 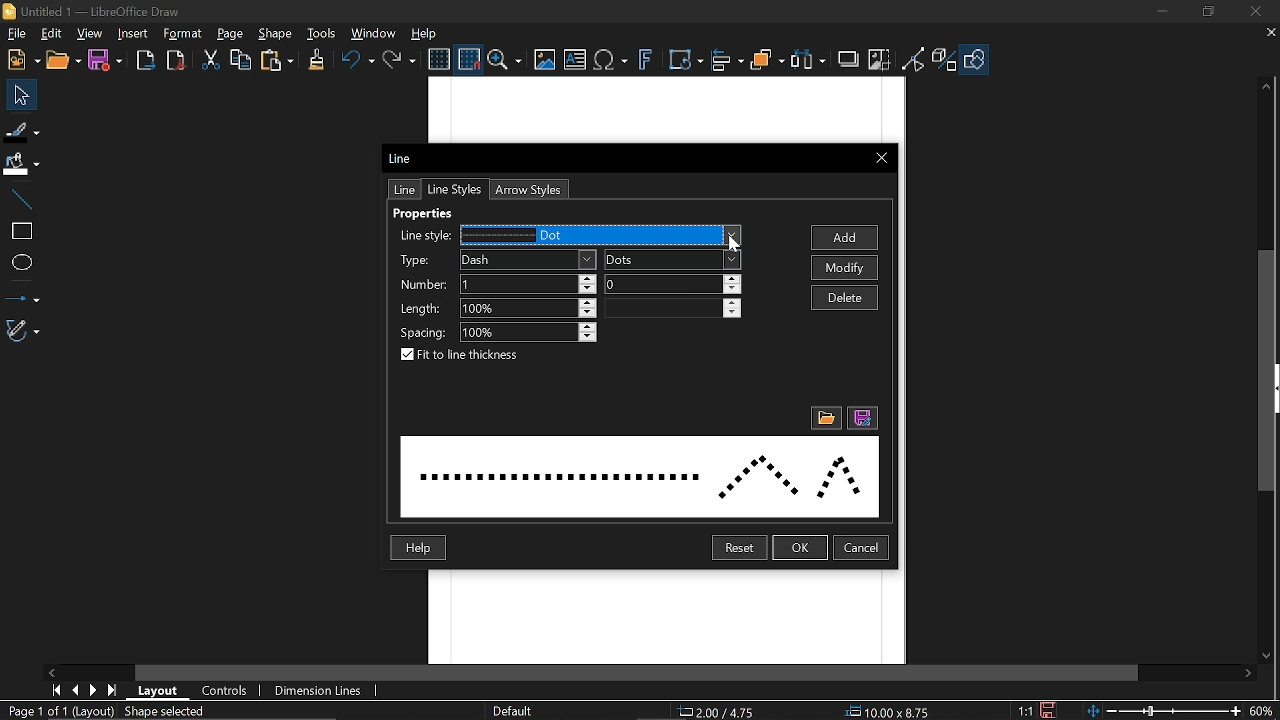 I want to click on Last page, so click(x=115, y=690).